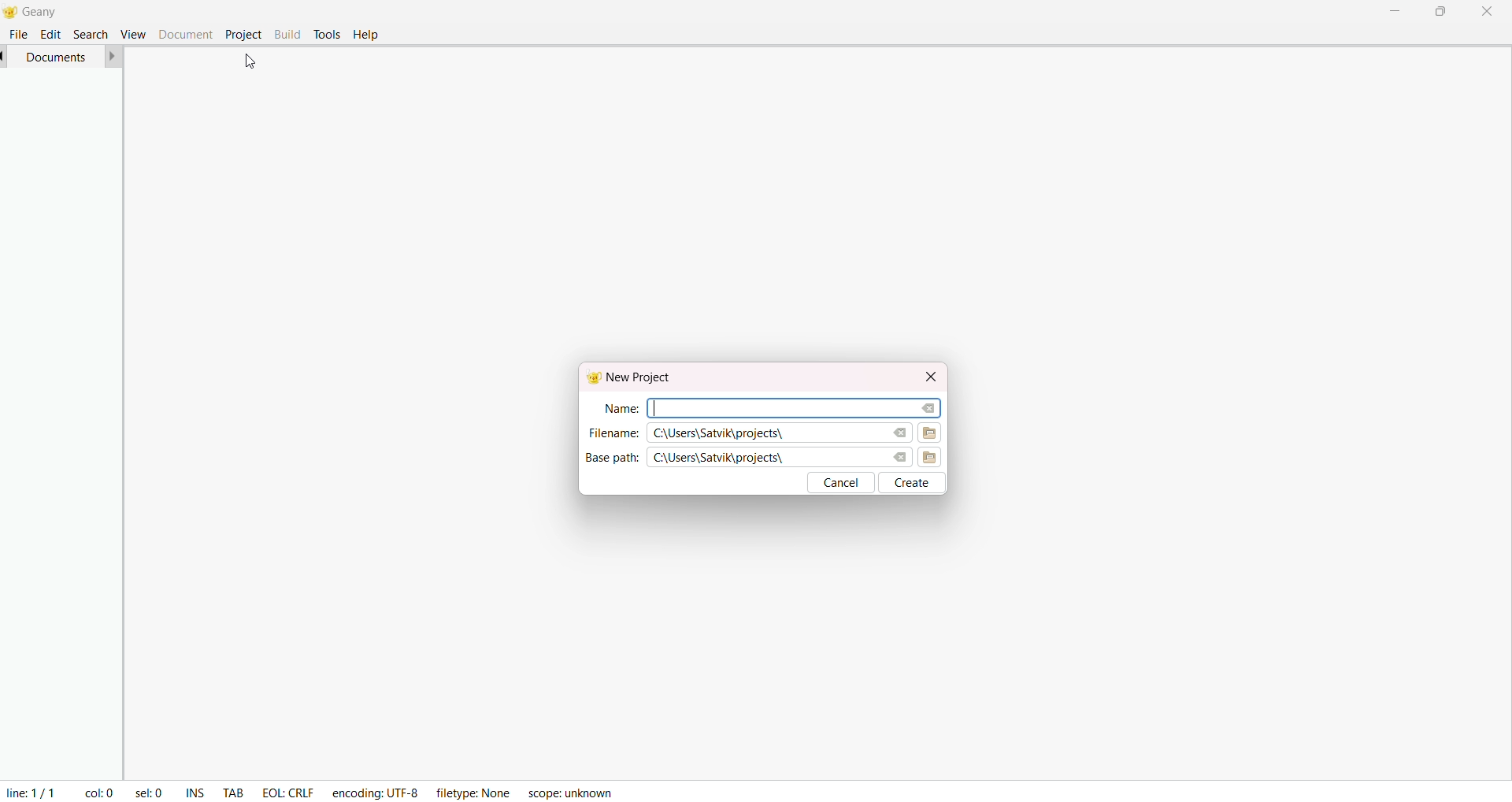 The width and height of the screenshot is (1512, 802). Describe the element at coordinates (57, 423) in the screenshot. I see `project manager` at that location.